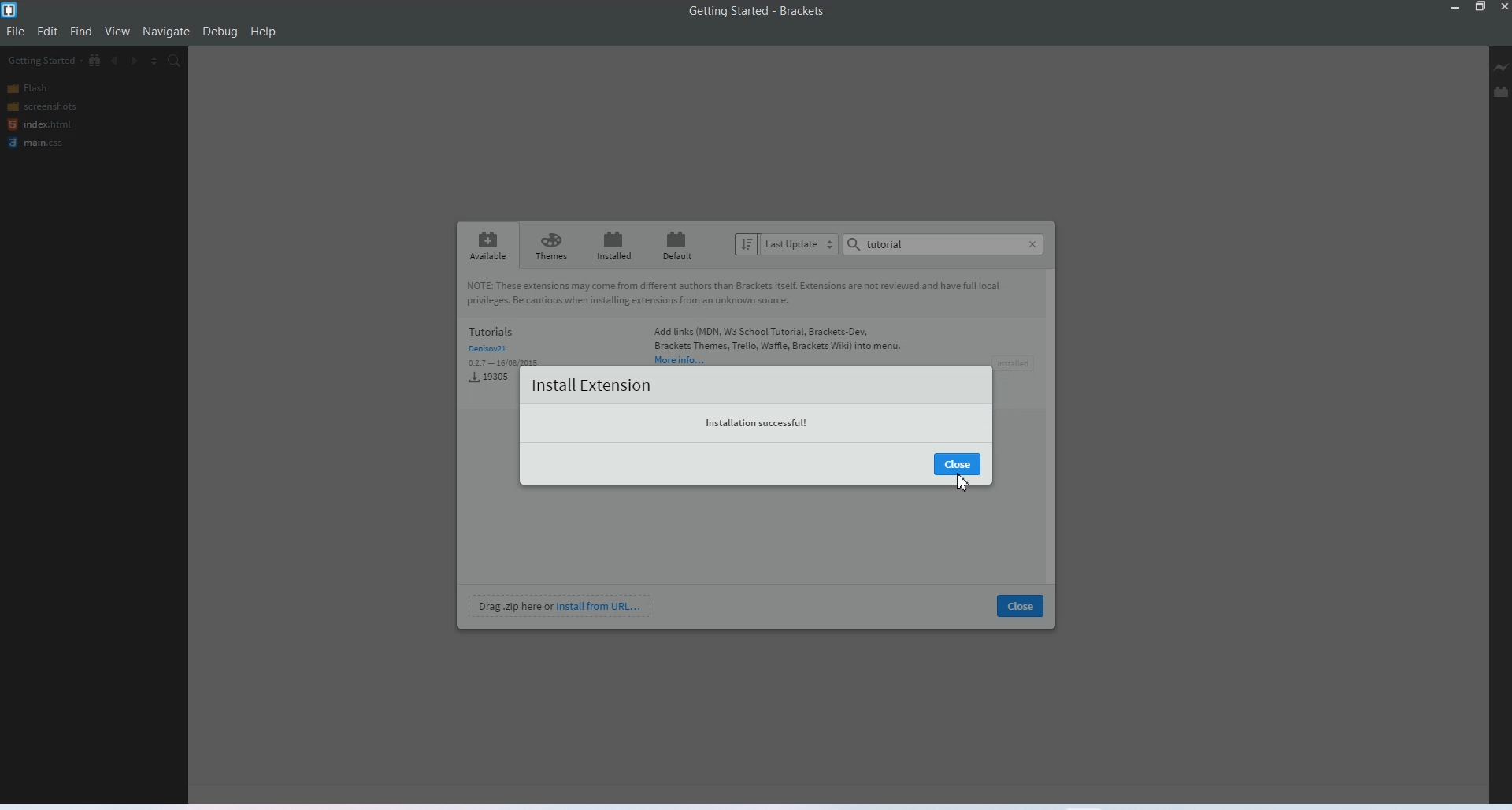 This screenshot has height=810, width=1512. I want to click on Find in files, so click(175, 61).